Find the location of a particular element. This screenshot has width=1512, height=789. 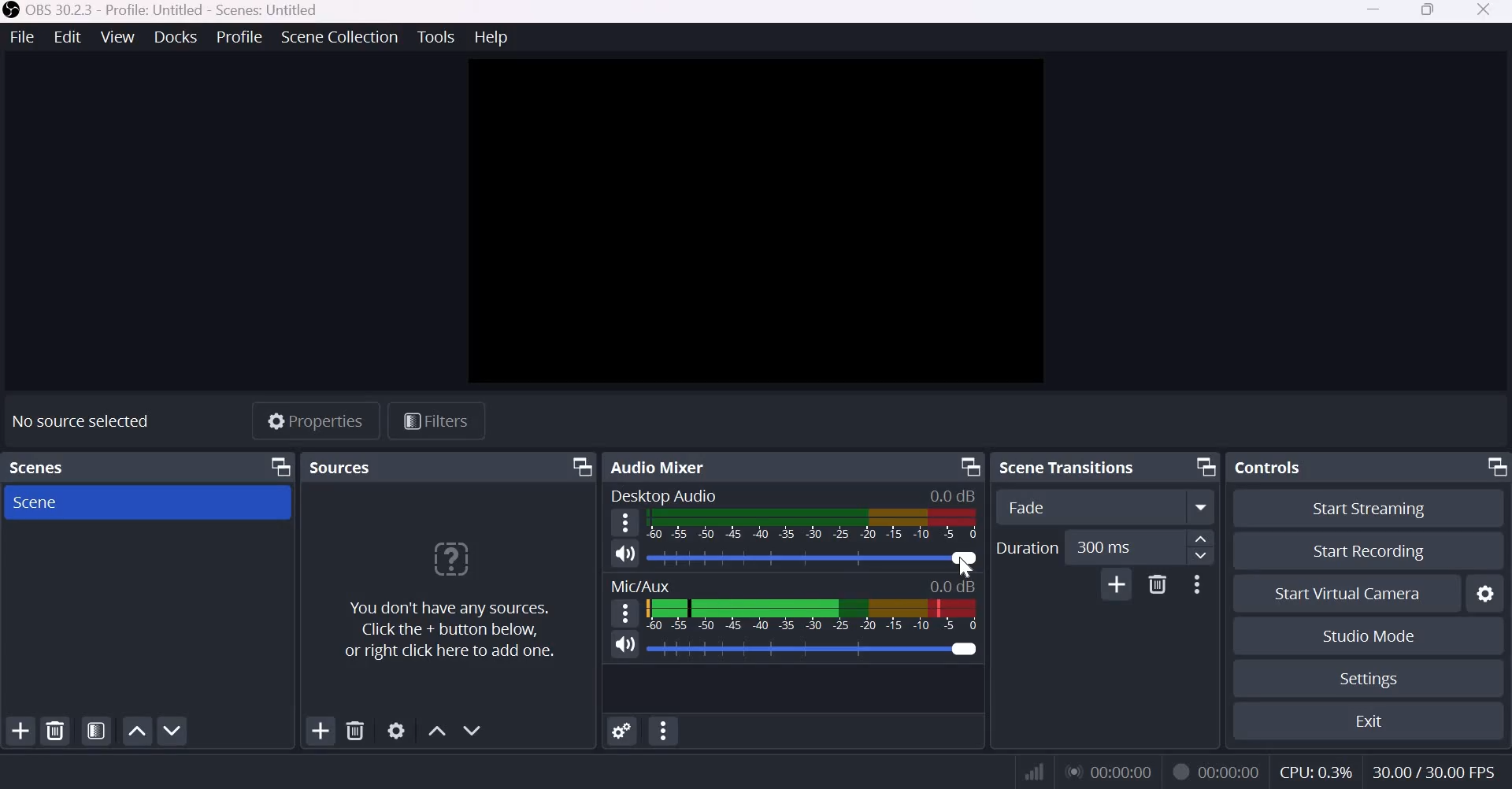

Close is located at coordinates (1488, 12).